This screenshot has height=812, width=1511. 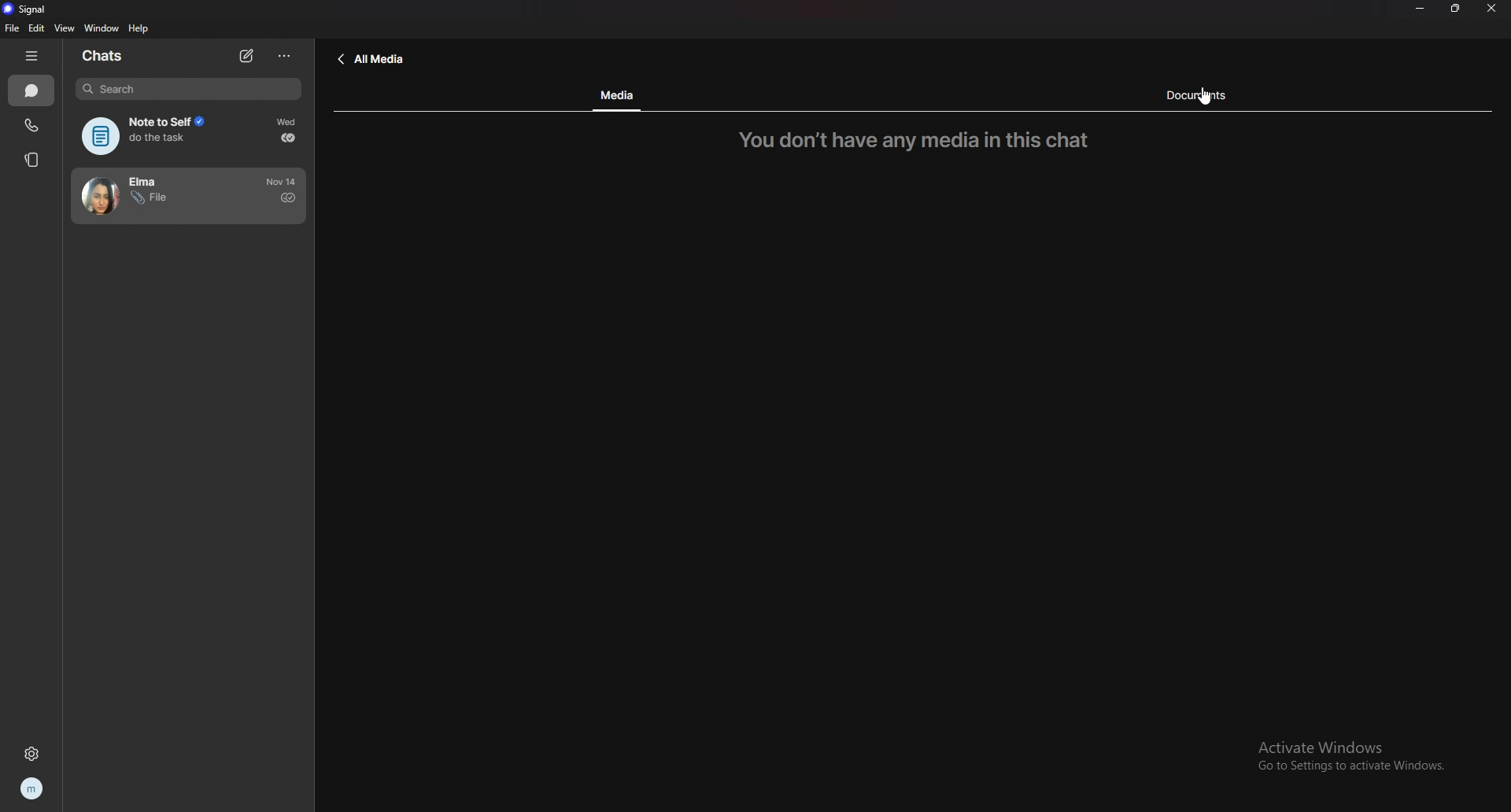 I want to click on settings, so click(x=31, y=752).